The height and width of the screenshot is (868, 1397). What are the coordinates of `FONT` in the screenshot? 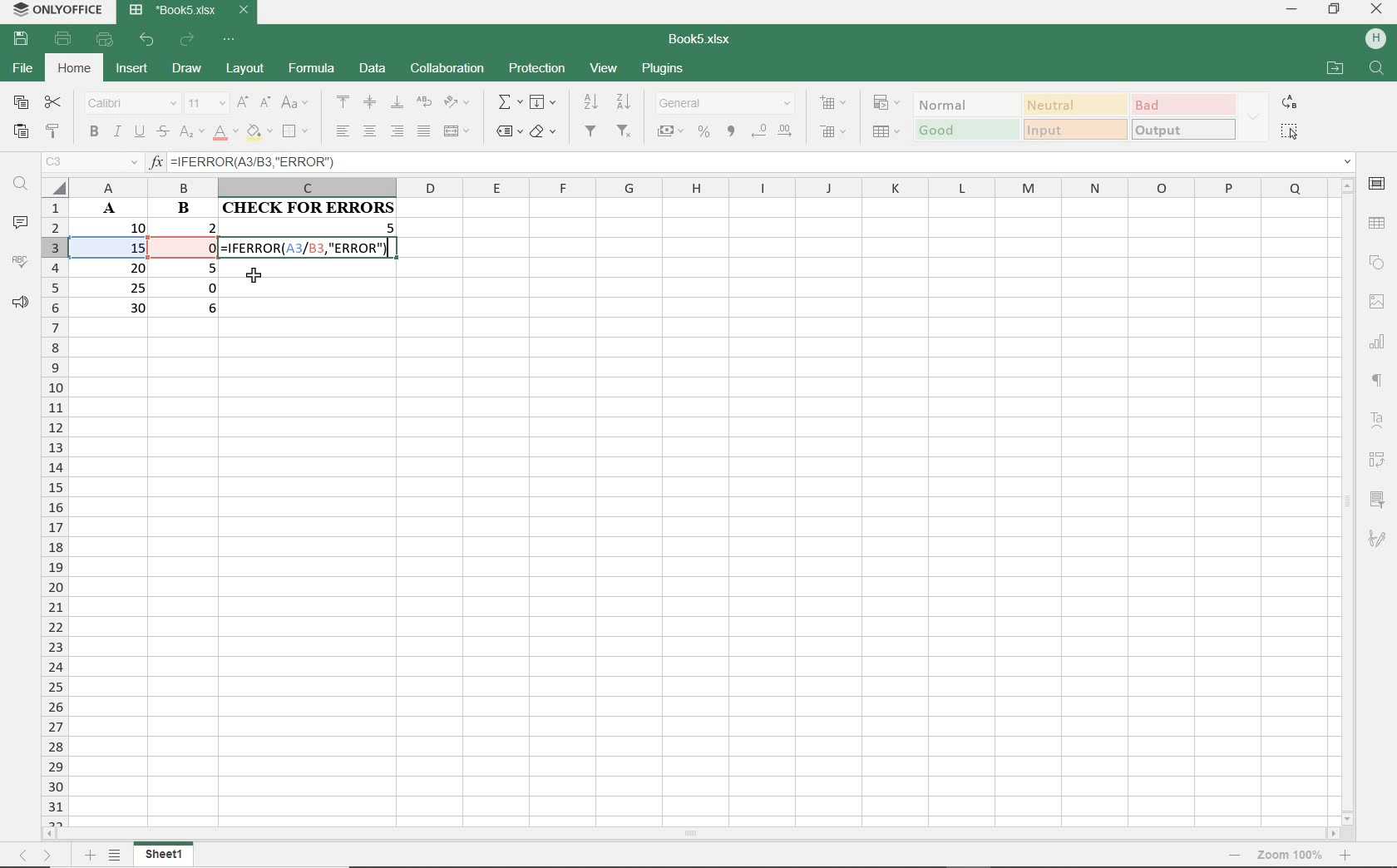 It's located at (128, 105).